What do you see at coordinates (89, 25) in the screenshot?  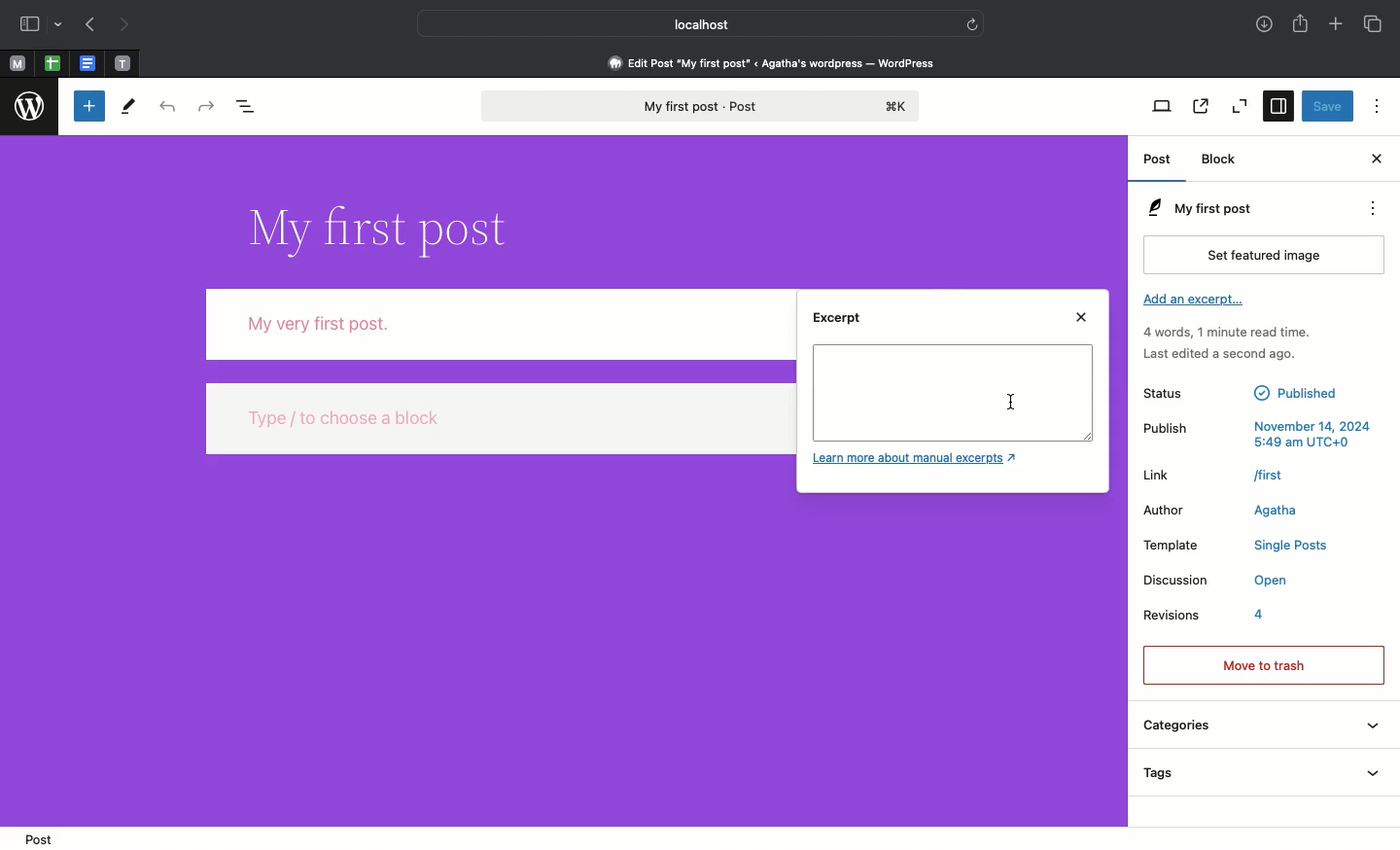 I see `Previous page` at bounding box center [89, 25].